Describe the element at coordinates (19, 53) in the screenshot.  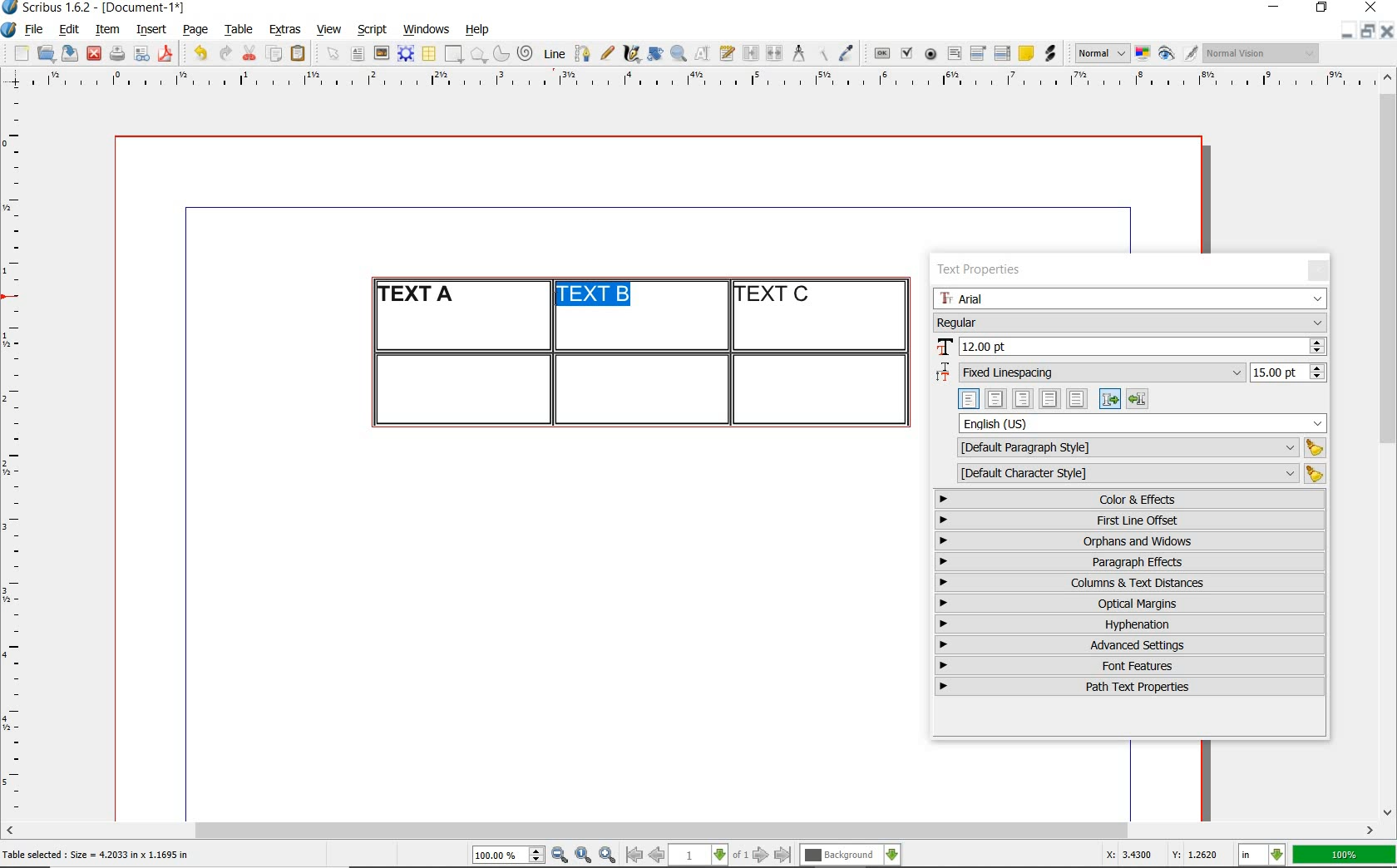
I see `new` at that location.